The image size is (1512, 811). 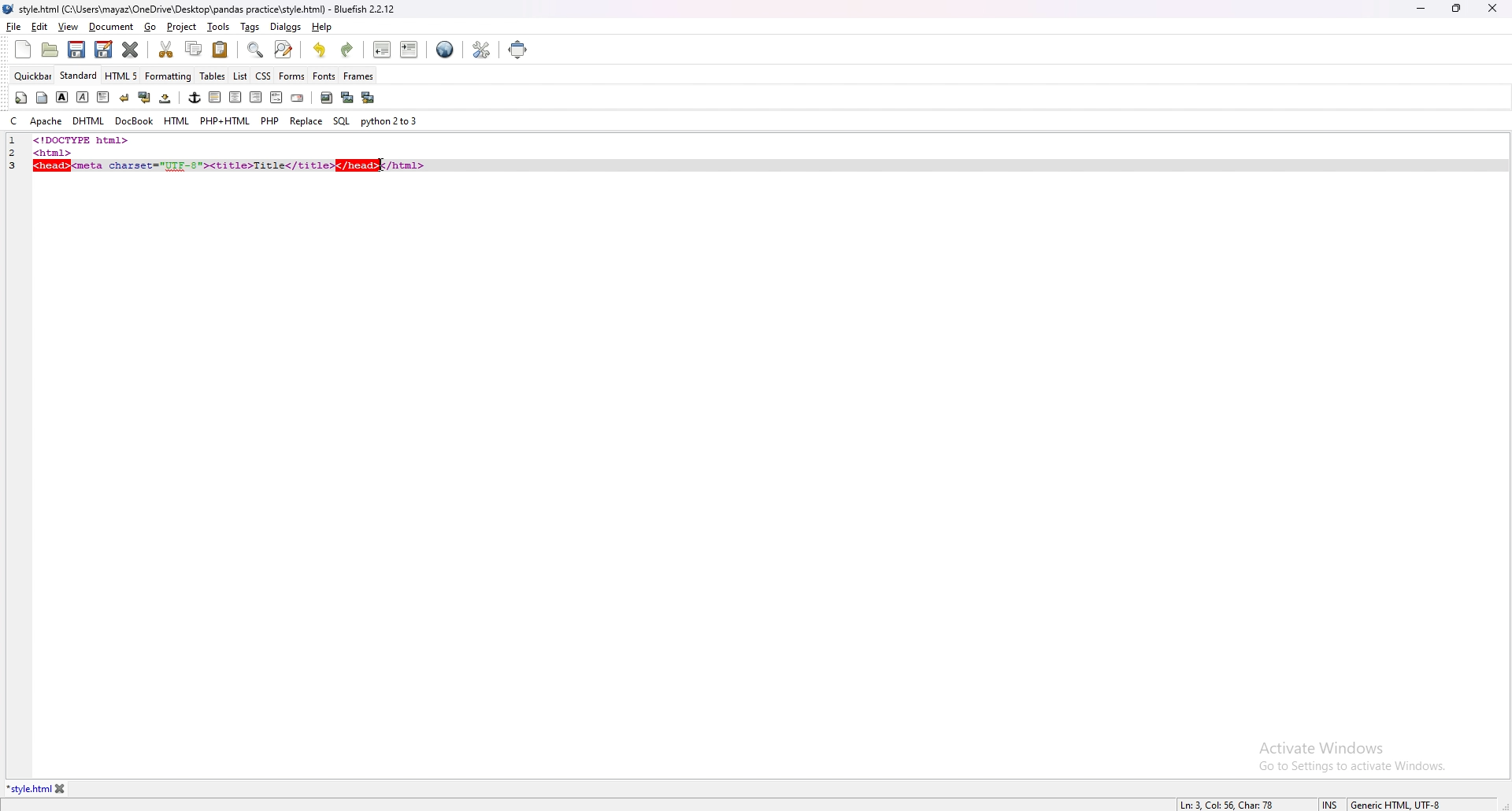 I want to click on view, so click(x=68, y=27).